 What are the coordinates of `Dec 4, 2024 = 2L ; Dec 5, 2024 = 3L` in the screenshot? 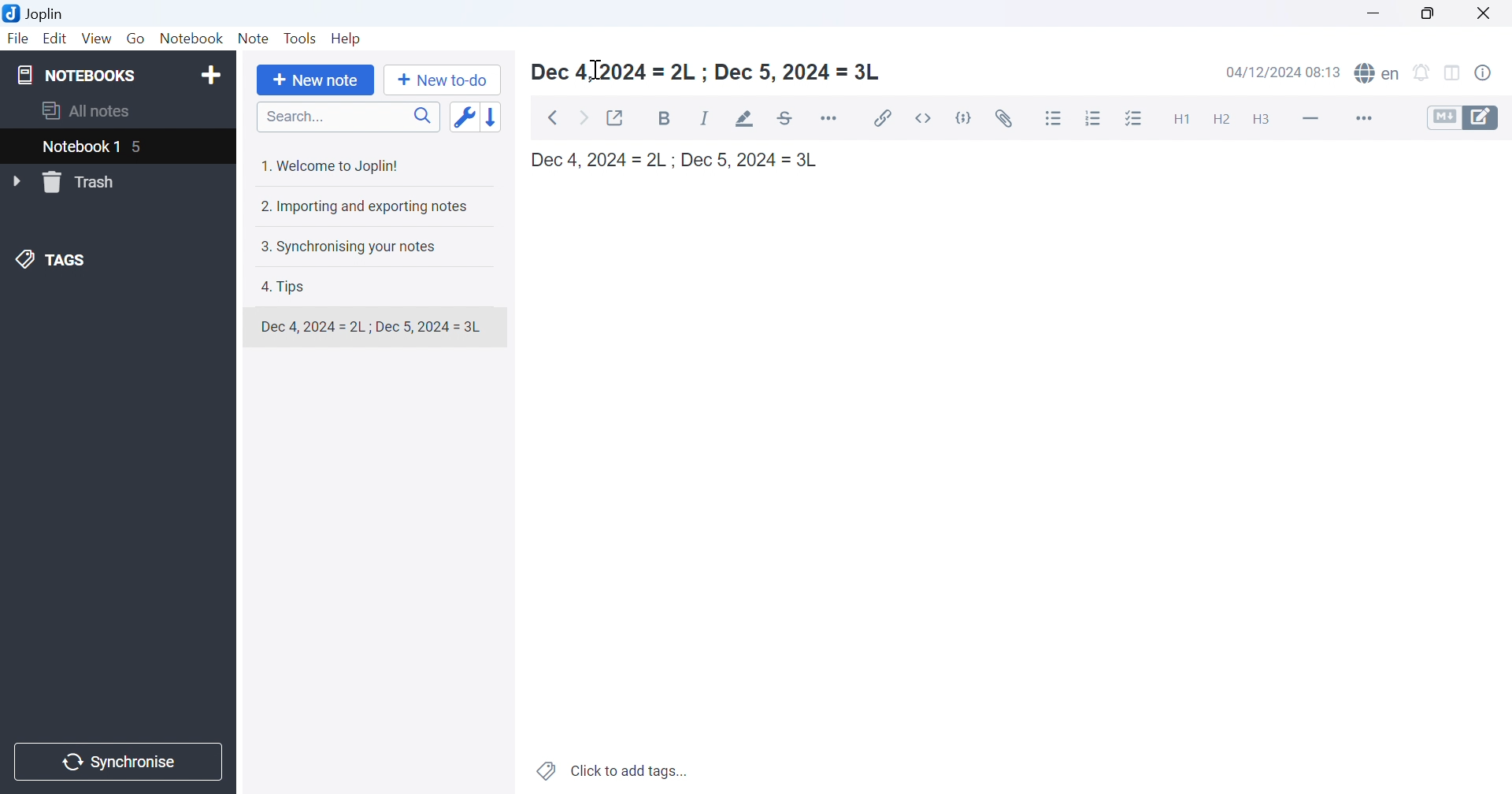 It's located at (711, 72).